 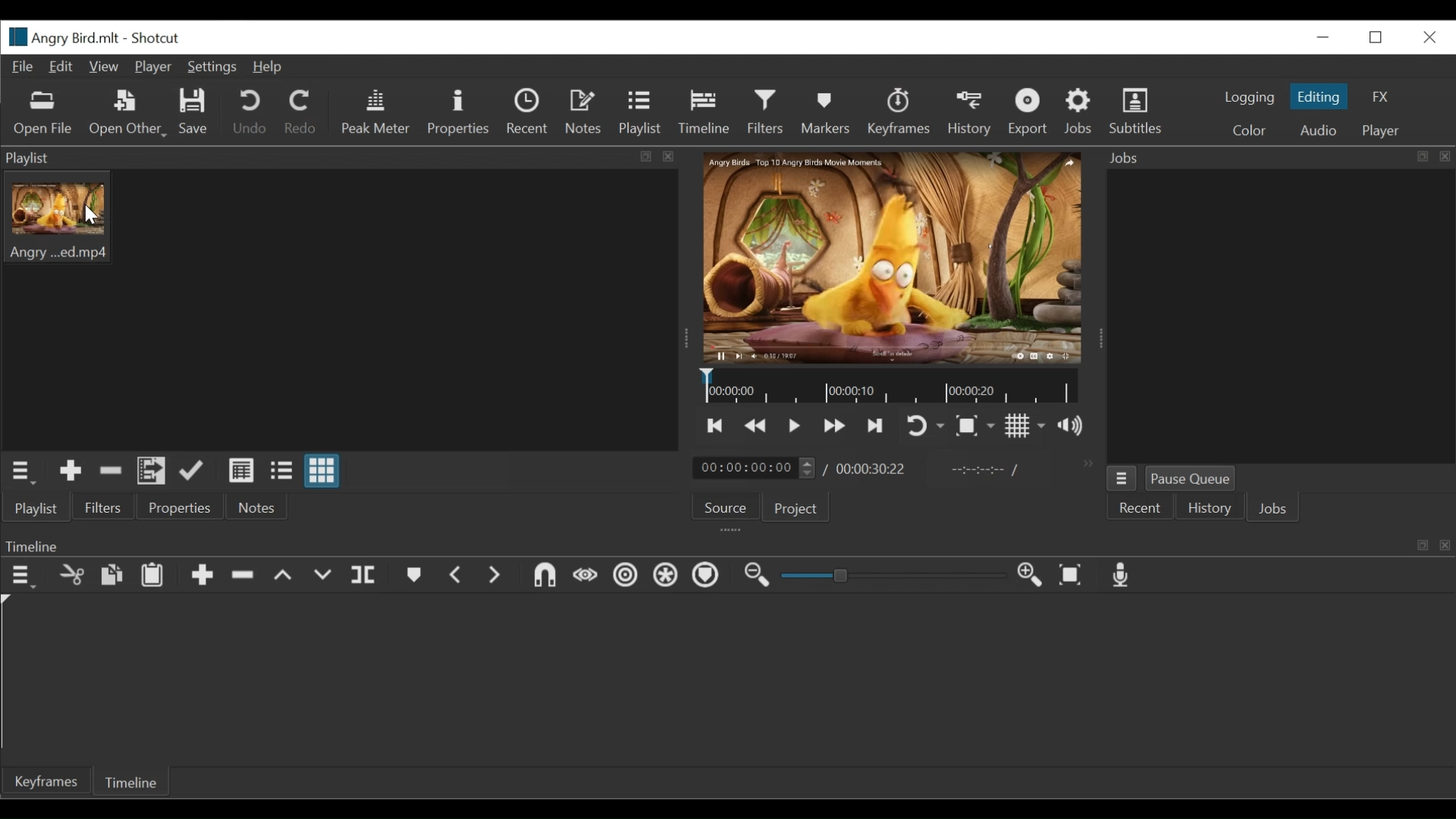 What do you see at coordinates (640, 114) in the screenshot?
I see `Playlist` at bounding box center [640, 114].